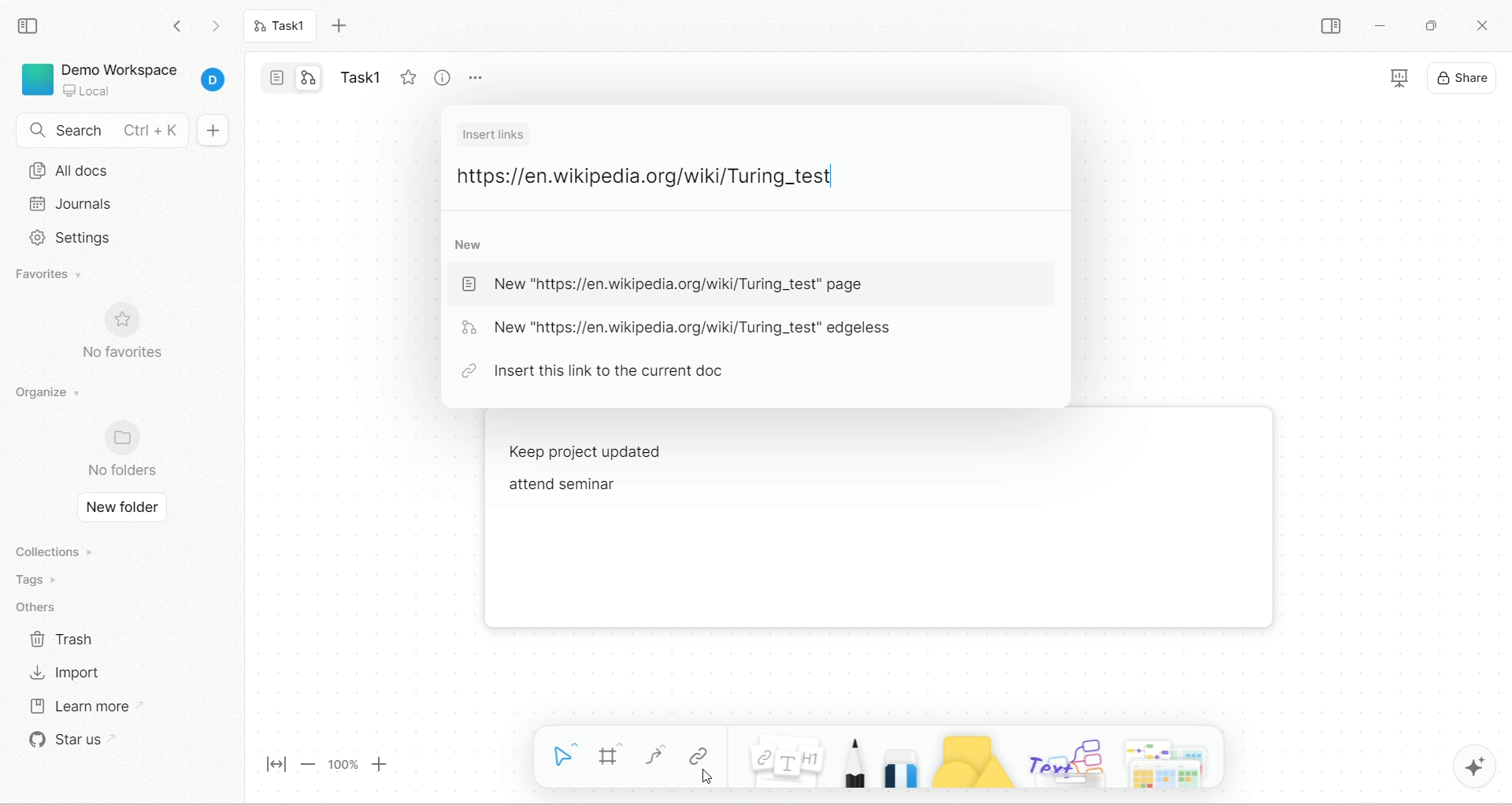 This screenshot has width=1512, height=805. Describe the element at coordinates (46, 580) in the screenshot. I see `tags` at that location.